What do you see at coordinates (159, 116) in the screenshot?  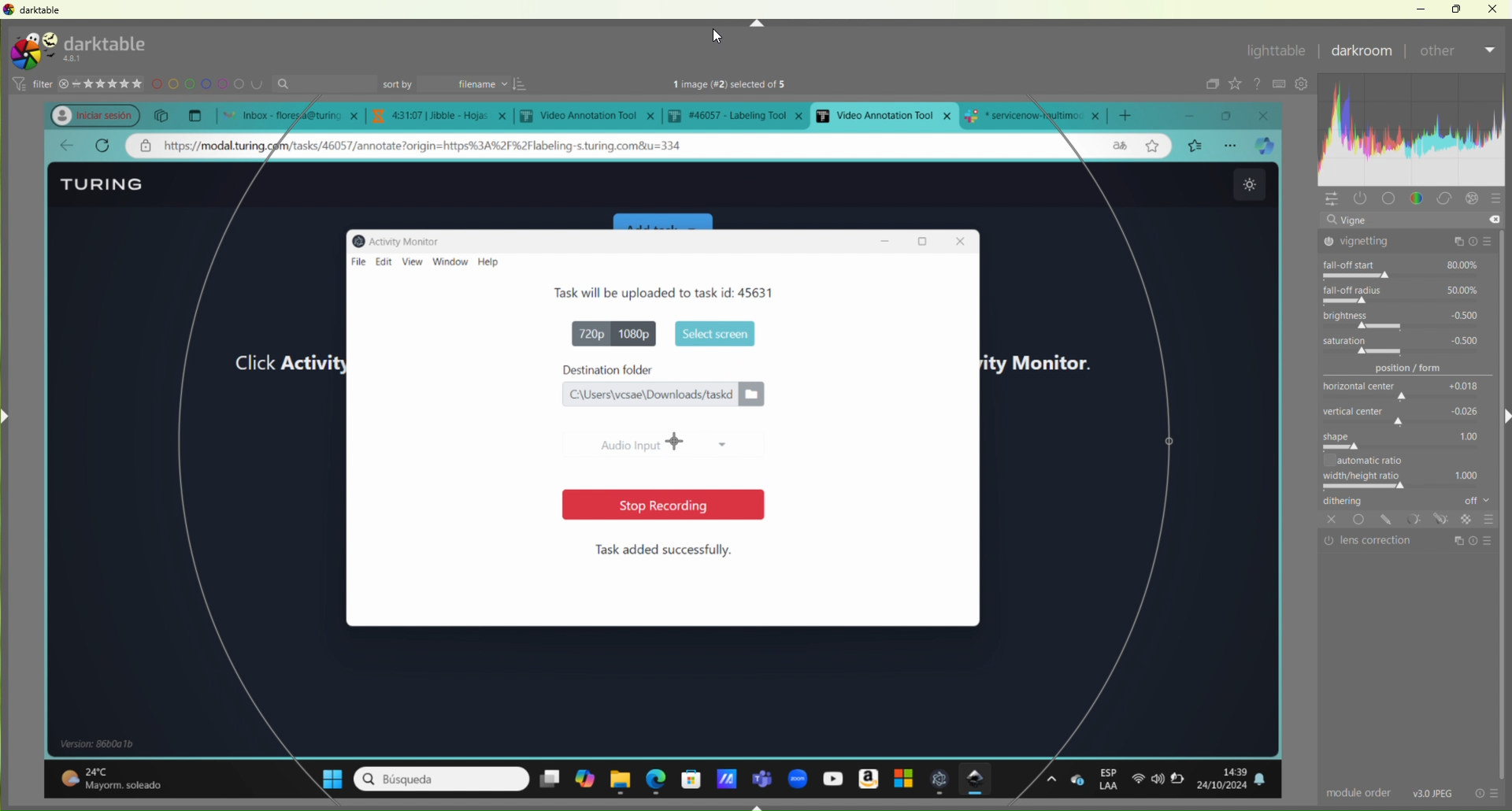 I see `copy` at bounding box center [159, 116].